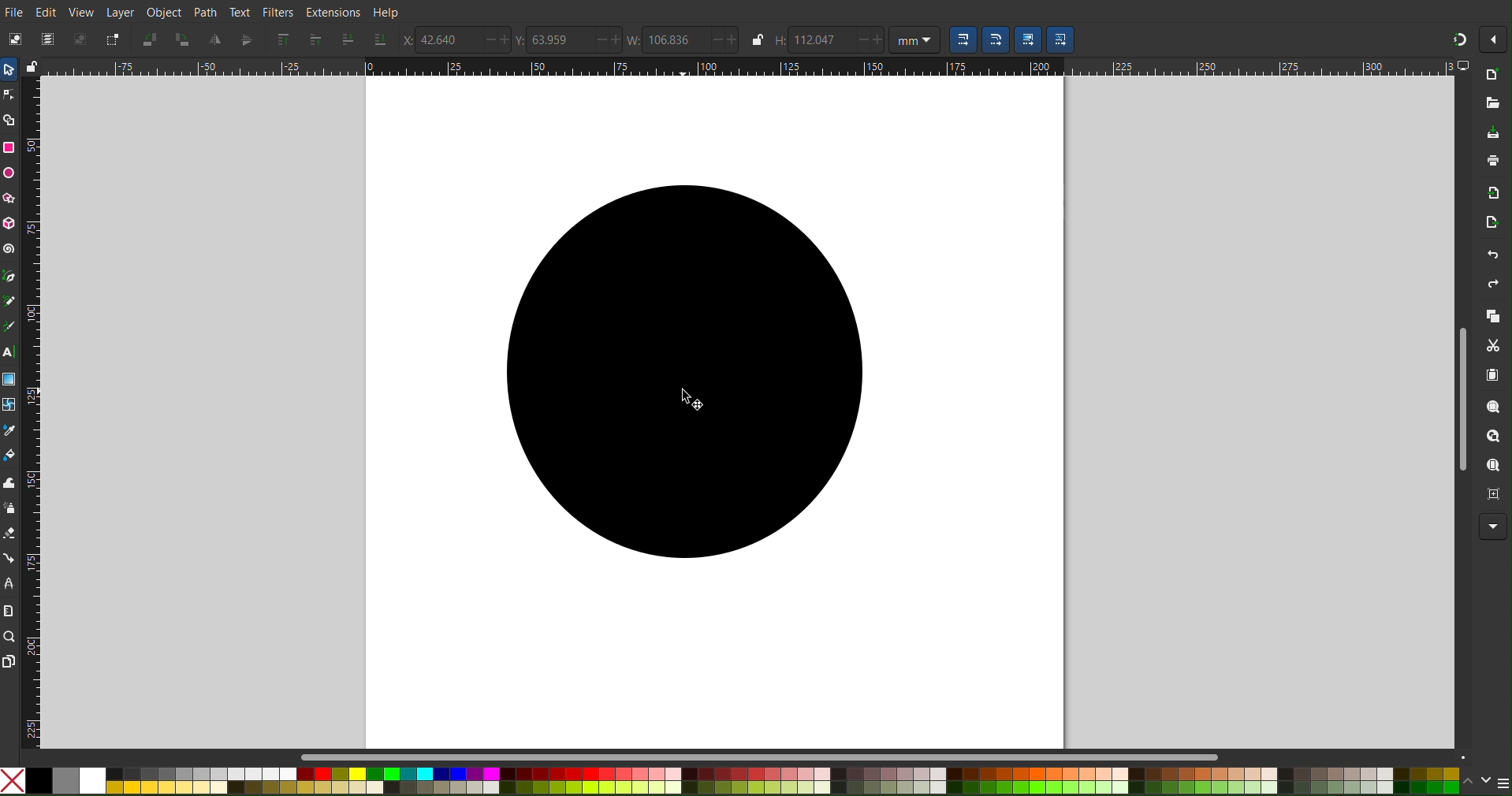  What do you see at coordinates (280, 11) in the screenshot?
I see `Filters` at bounding box center [280, 11].